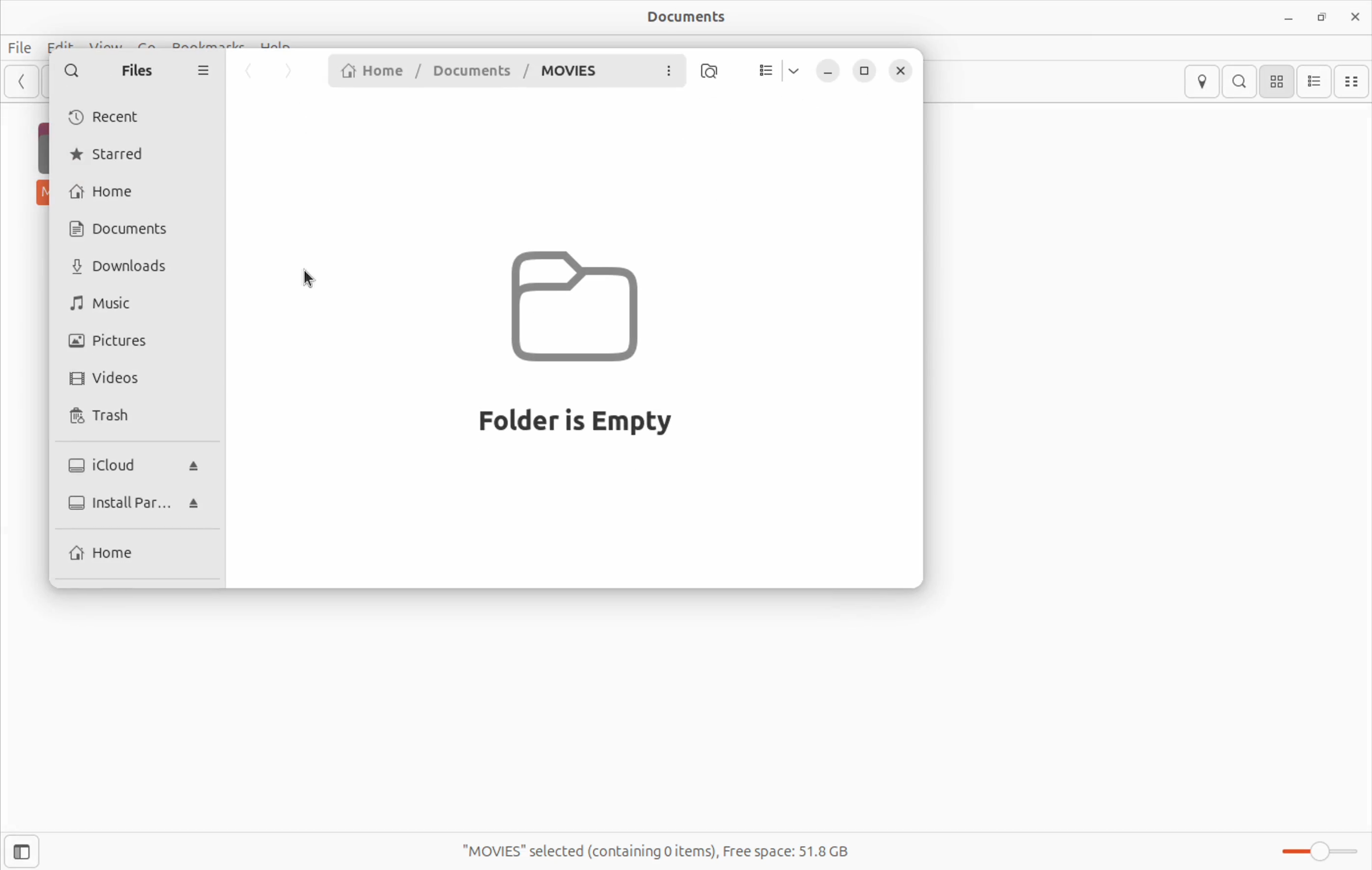  I want to click on minimize, so click(1290, 18).